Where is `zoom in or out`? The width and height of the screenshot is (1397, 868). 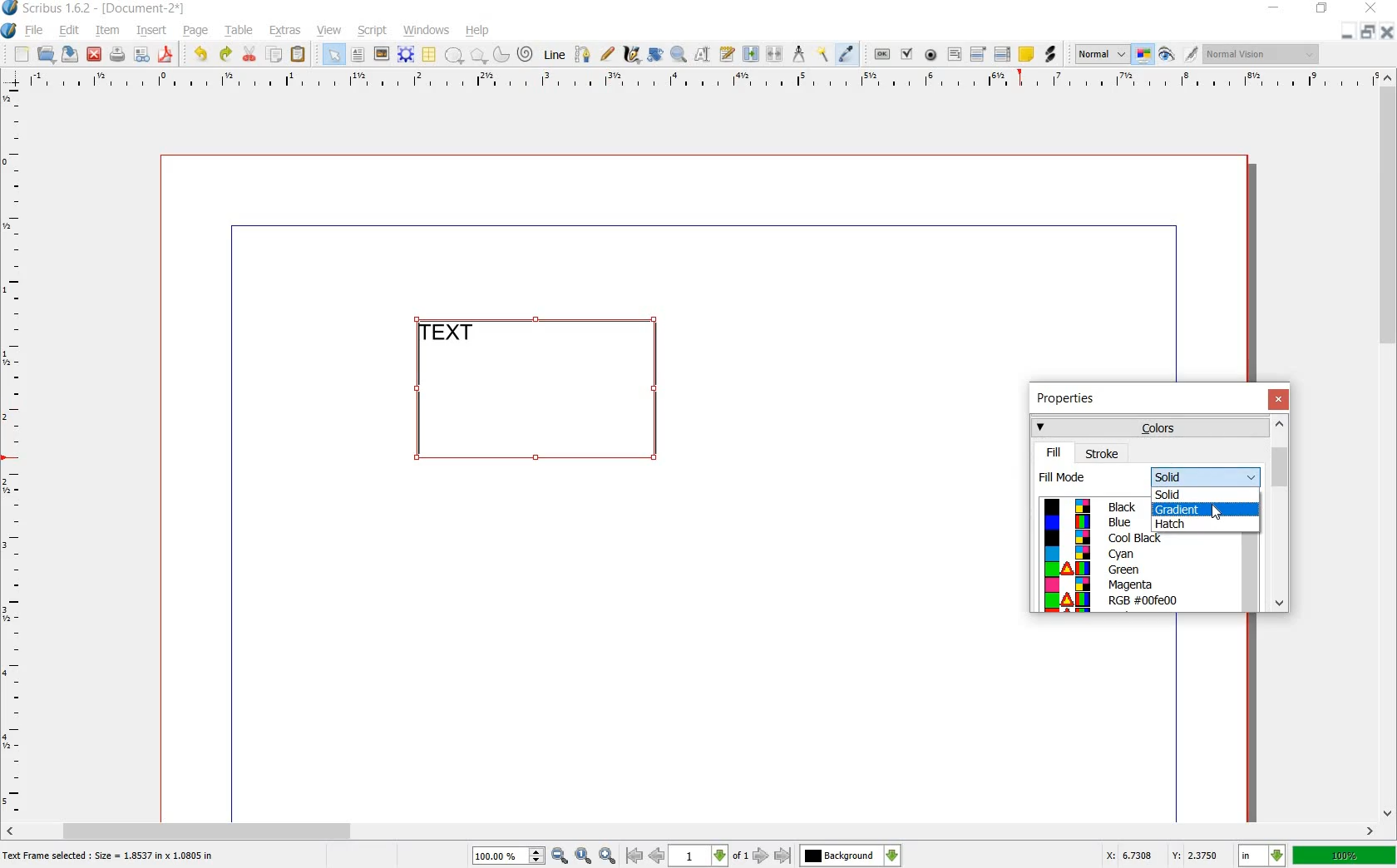
zoom in or out is located at coordinates (678, 56).